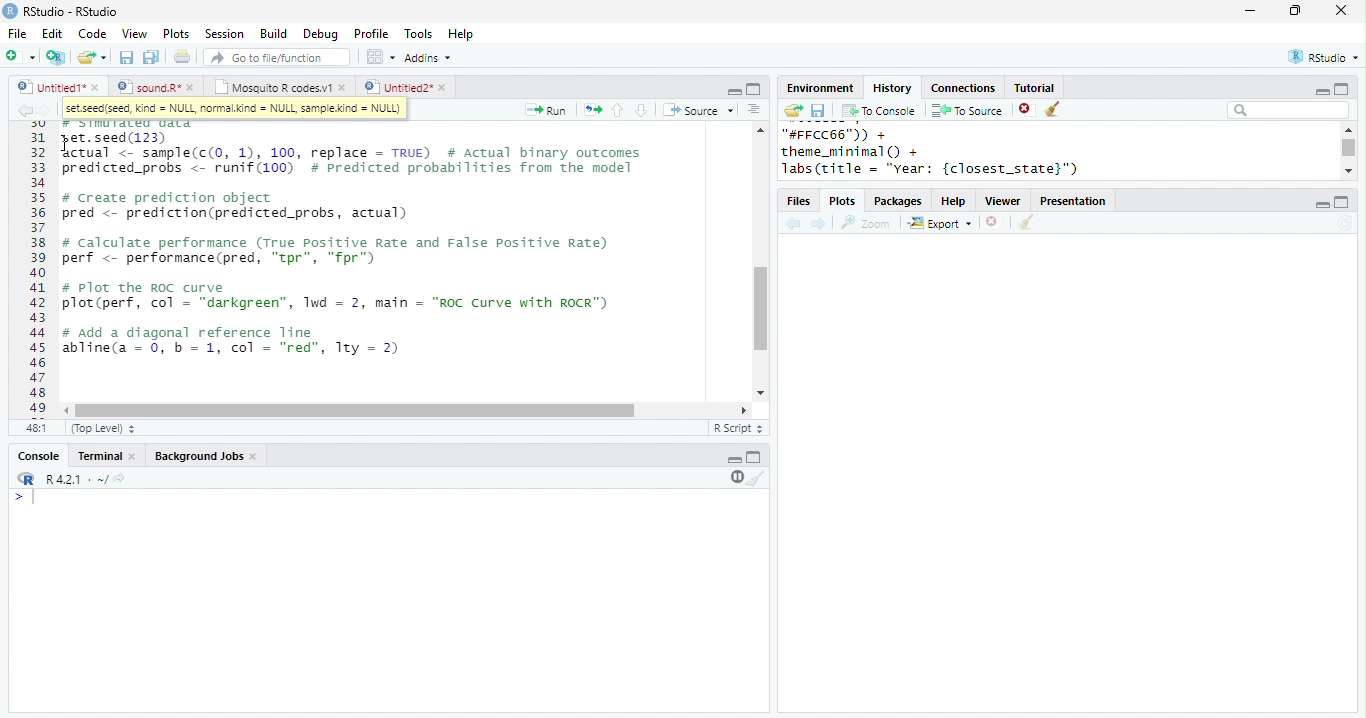 The width and height of the screenshot is (1366, 718). I want to click on To source, so click(967, 110).